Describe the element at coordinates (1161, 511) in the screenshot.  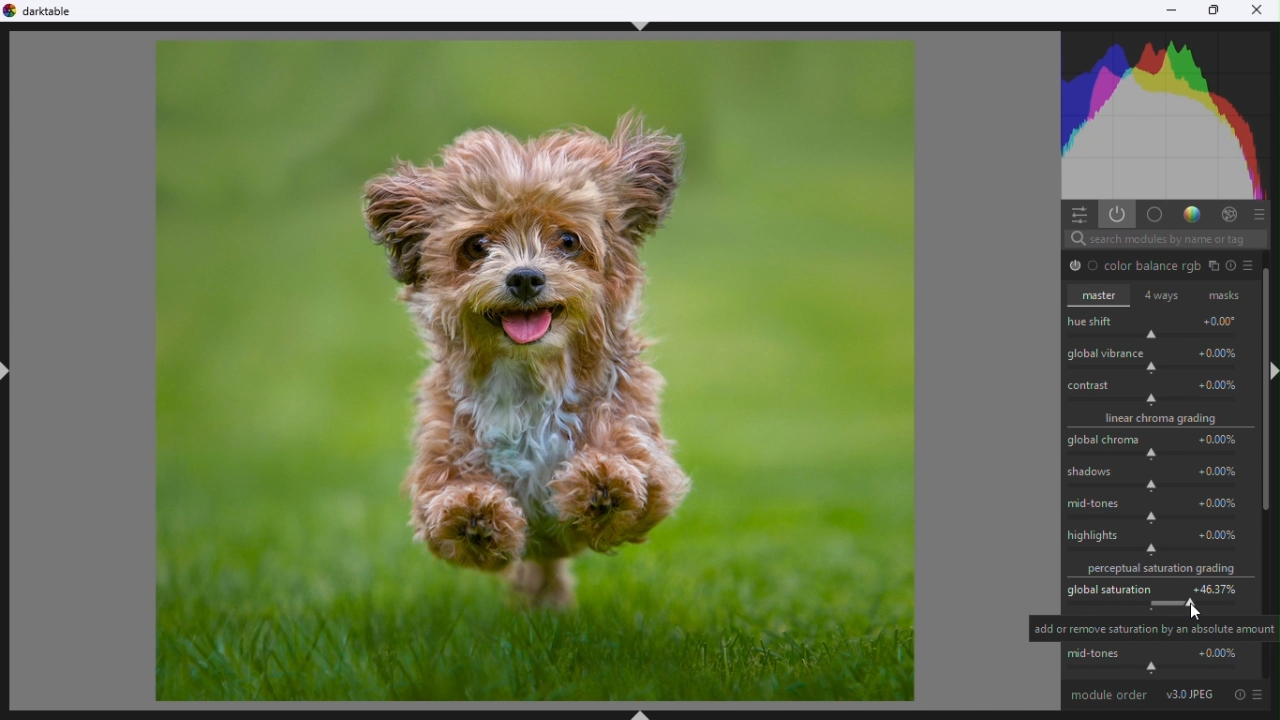
I see `Mid tones` at that location.